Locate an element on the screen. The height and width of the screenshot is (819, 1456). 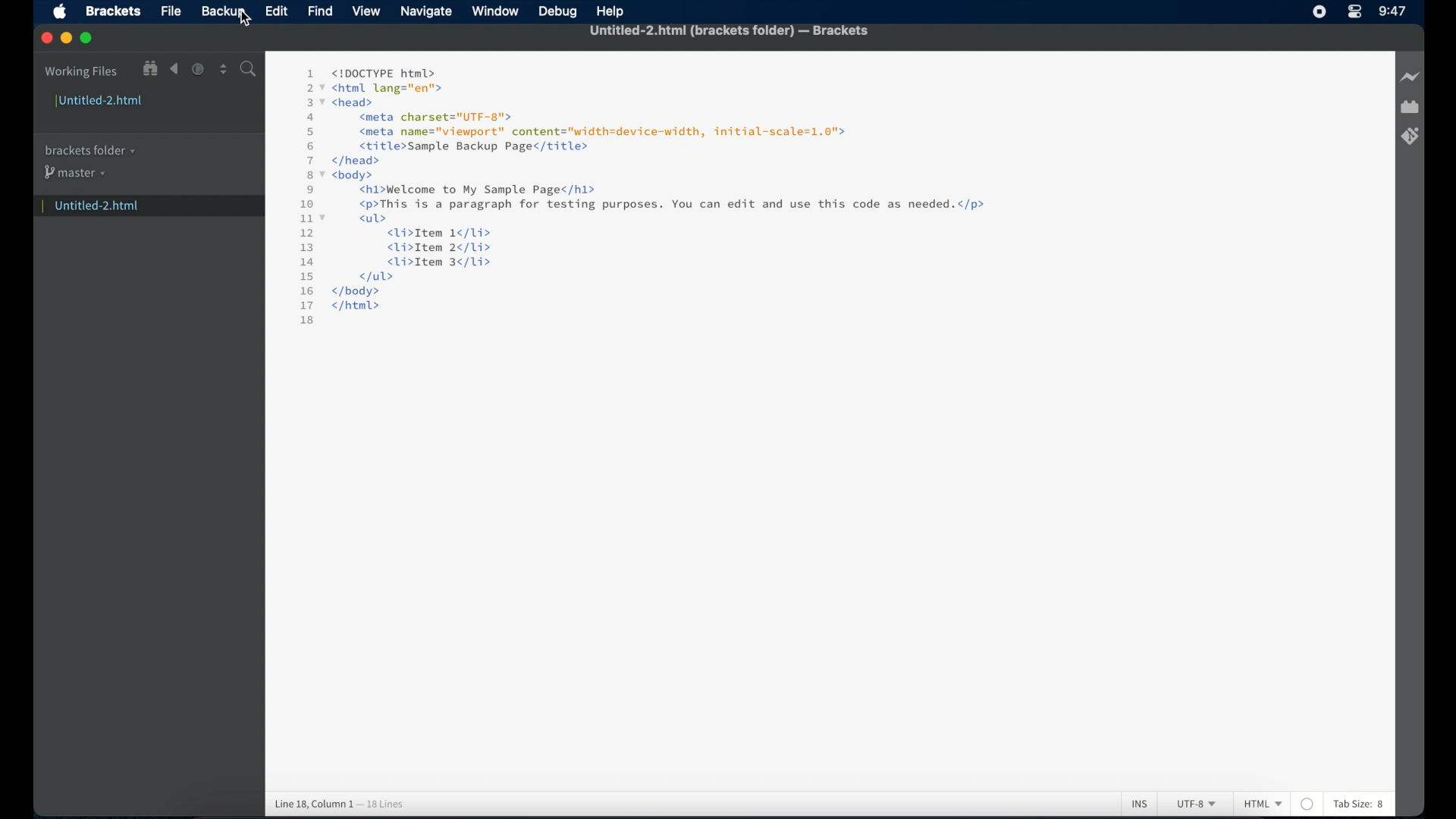
untitled-2.html is located at coordinates (100, 102).